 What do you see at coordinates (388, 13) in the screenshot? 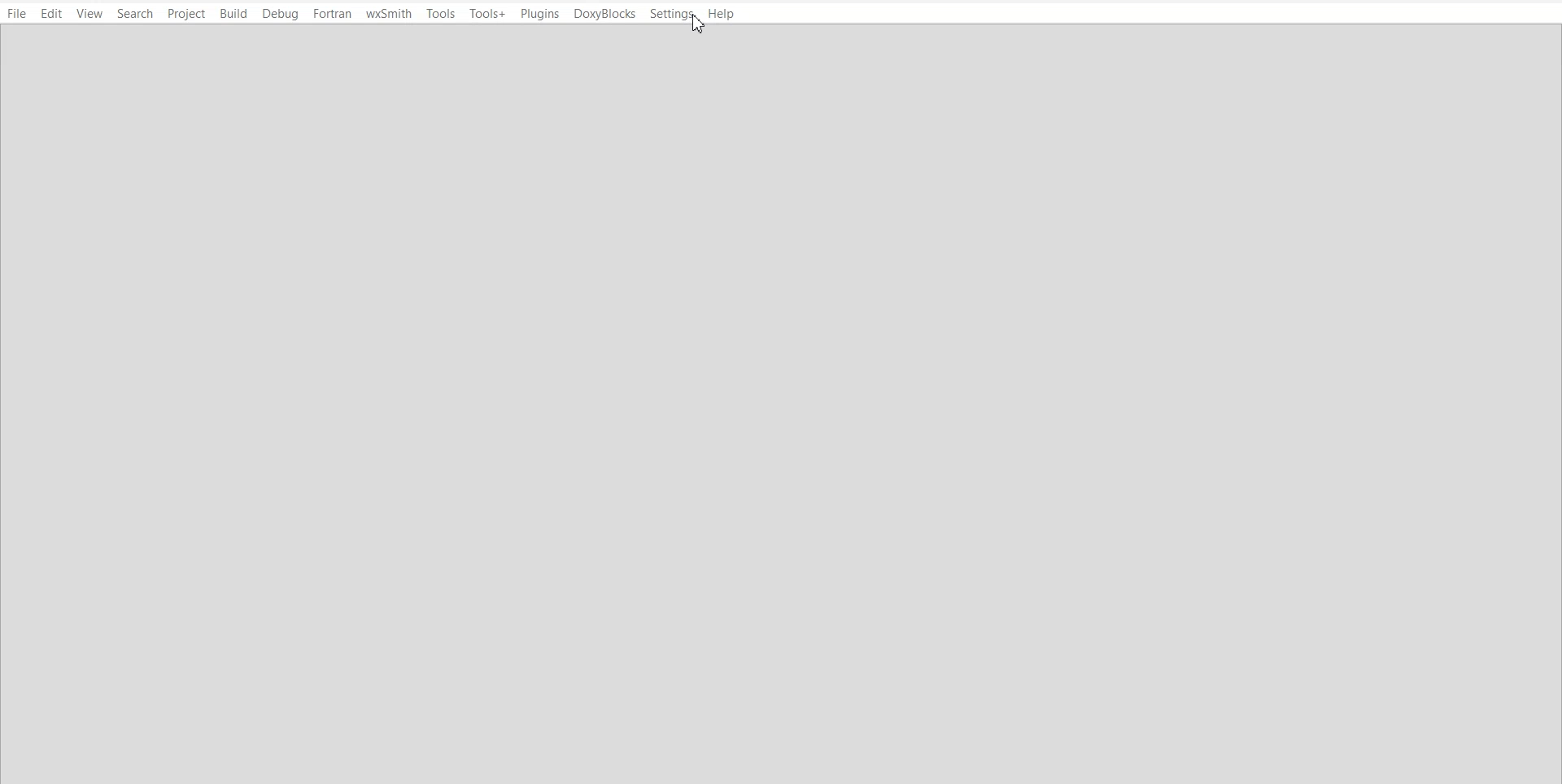
I see `wxSmith` at bounding box center [388, 13].